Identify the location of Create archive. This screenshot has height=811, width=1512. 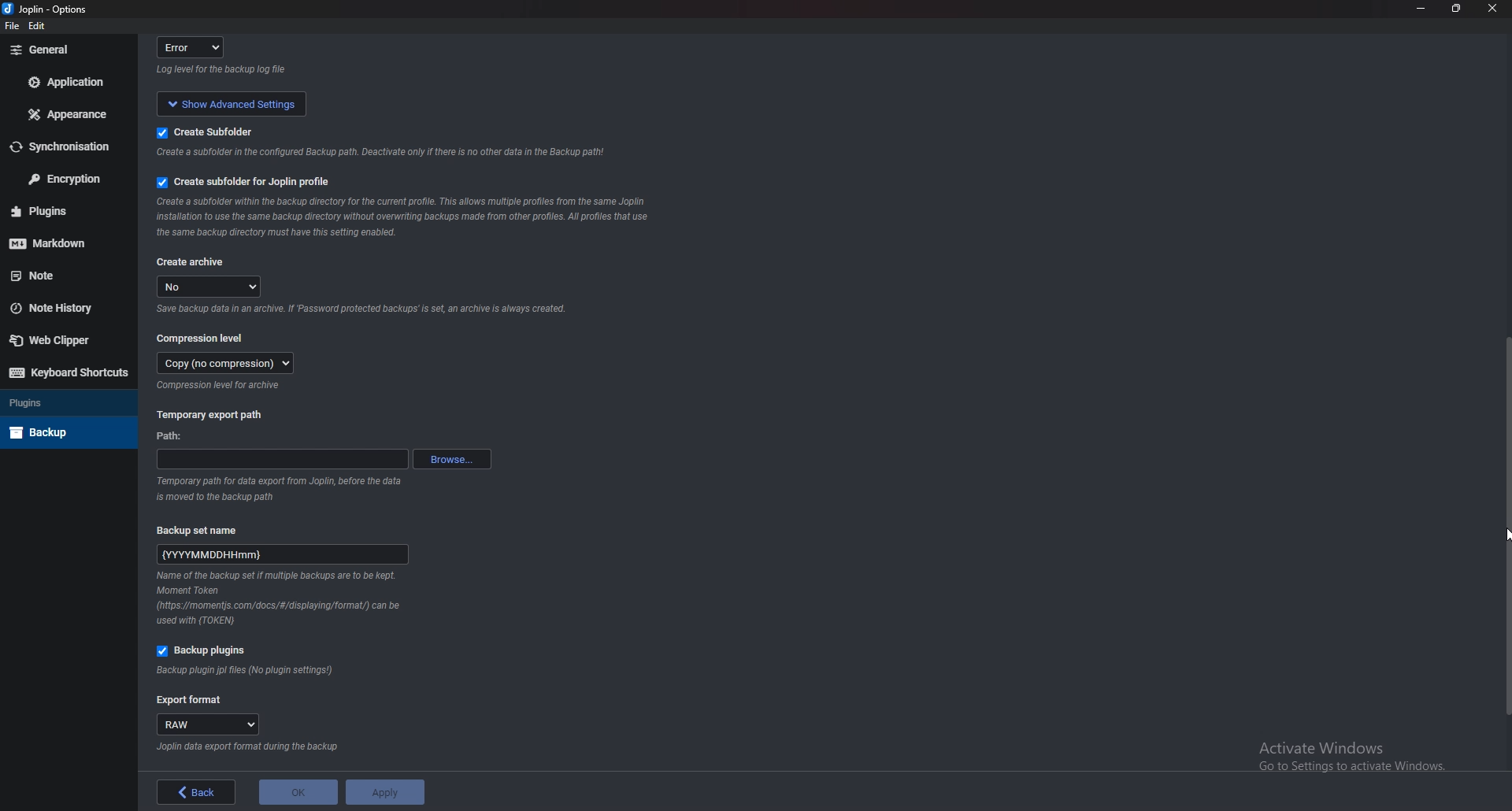
(191, 263).